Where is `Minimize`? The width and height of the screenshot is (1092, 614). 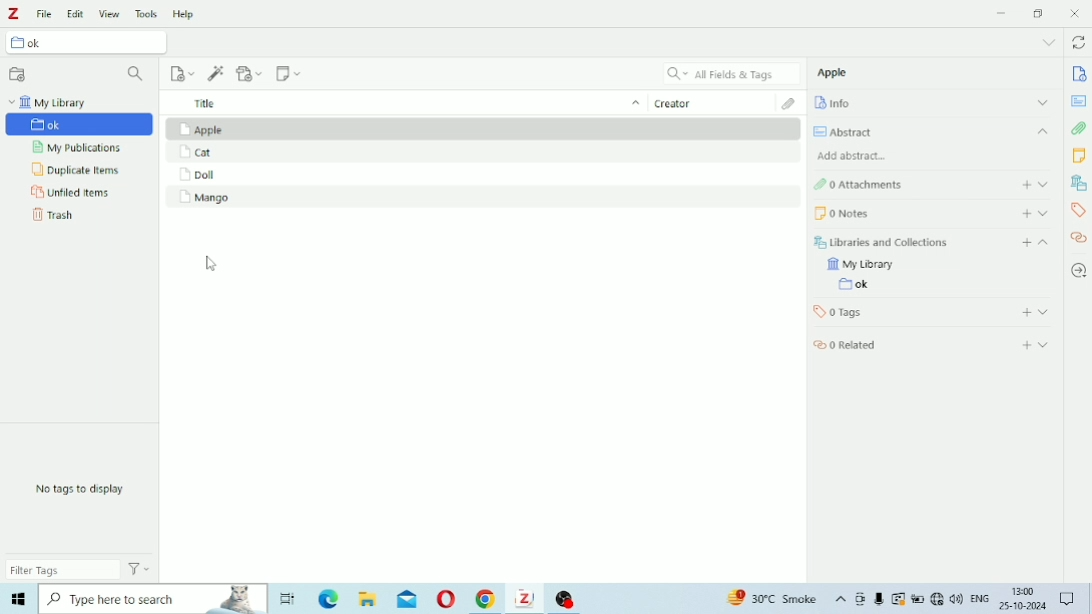 Minimize is located at coordinates (1001, 14).